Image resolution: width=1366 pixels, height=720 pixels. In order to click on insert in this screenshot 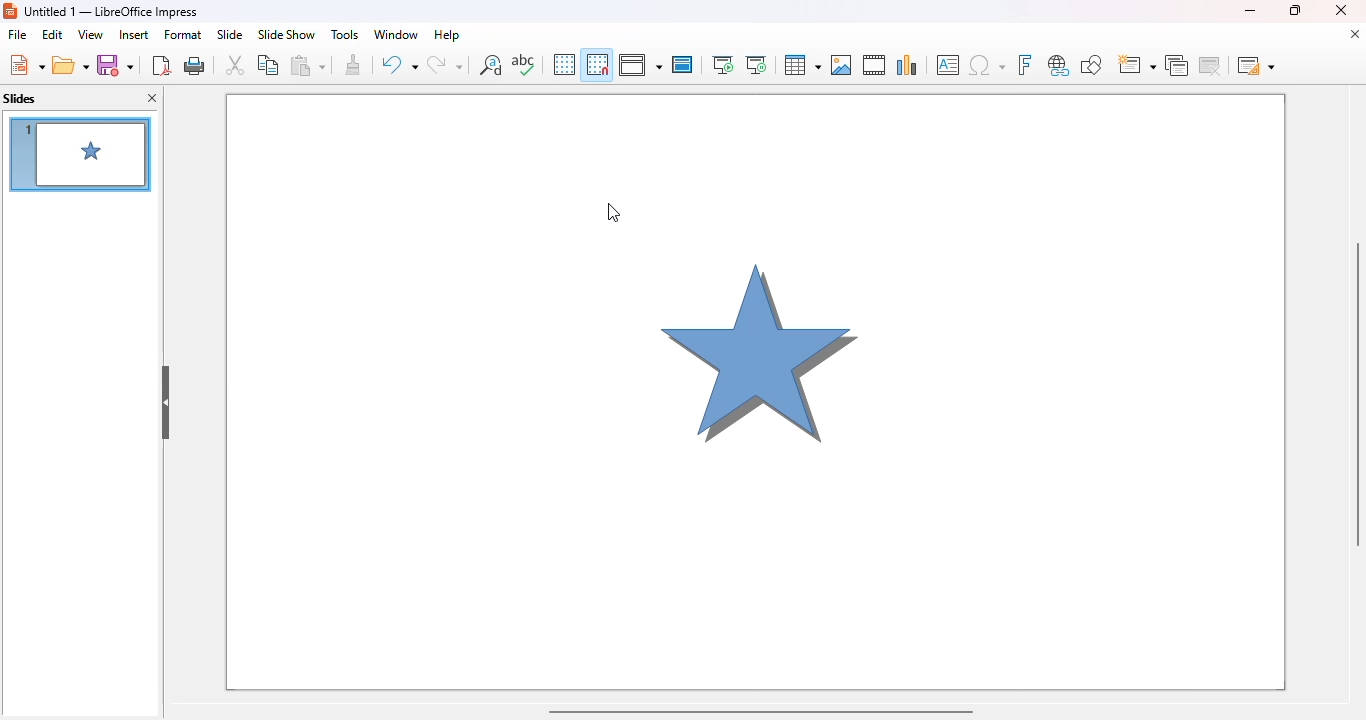, I will do `click(134, 35)`.